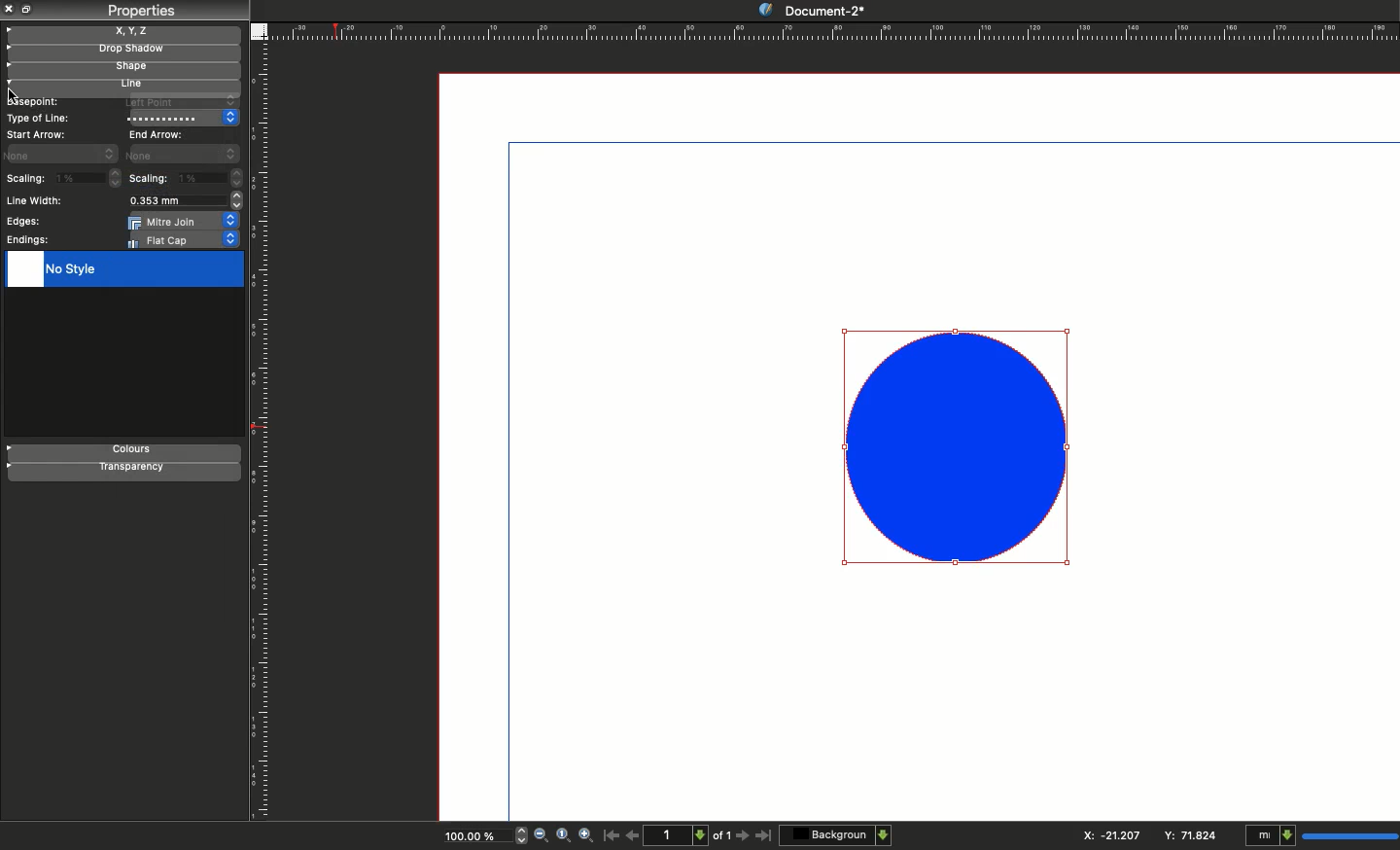  Describe the element at coordinates (1105, 835) in the screenshot. I see `X: 115.544` at that location.